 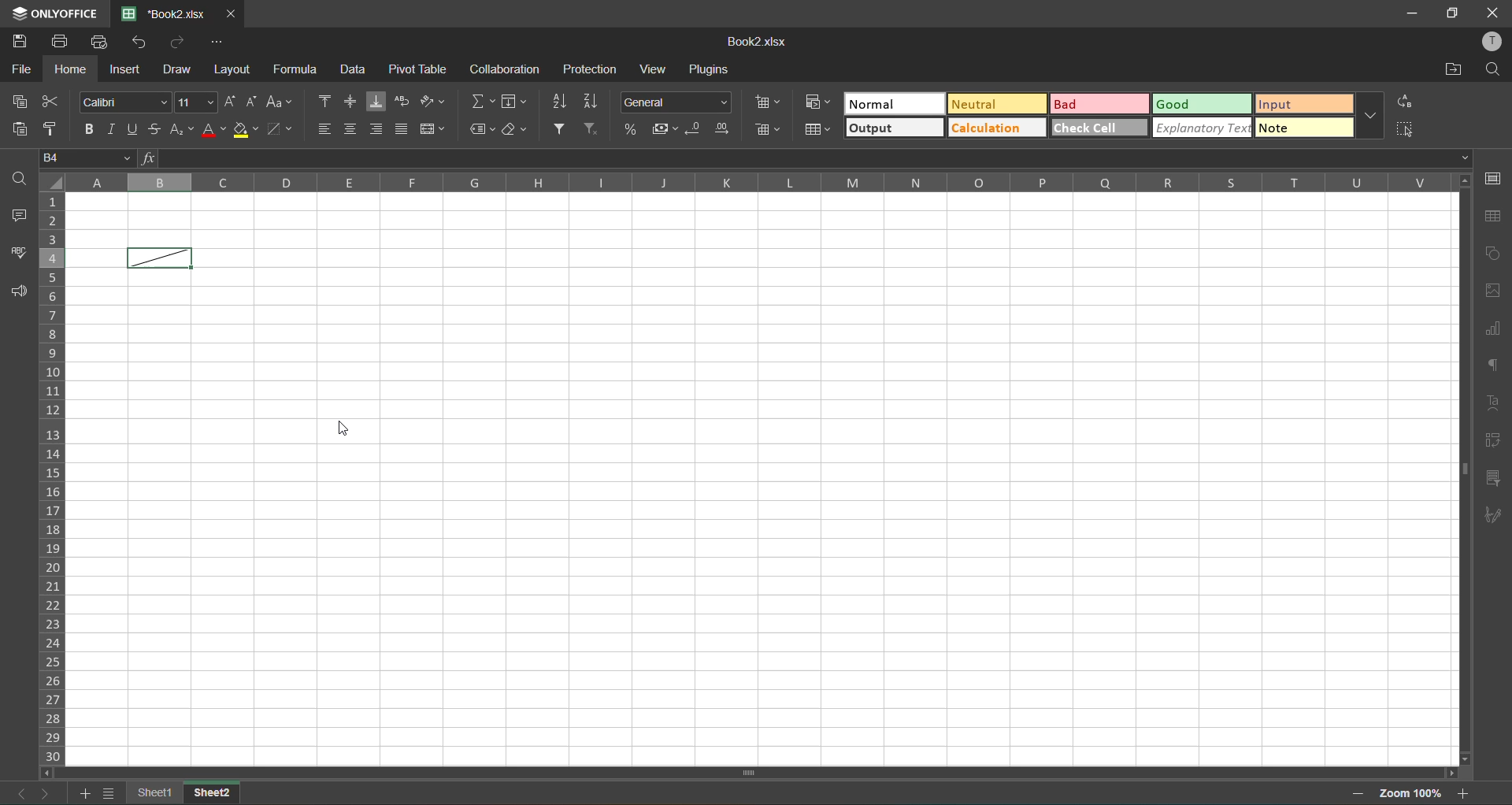 What do you see at coordinates (354, 71) in the screenshot?
I see `data` at bounding box center [354, 71].